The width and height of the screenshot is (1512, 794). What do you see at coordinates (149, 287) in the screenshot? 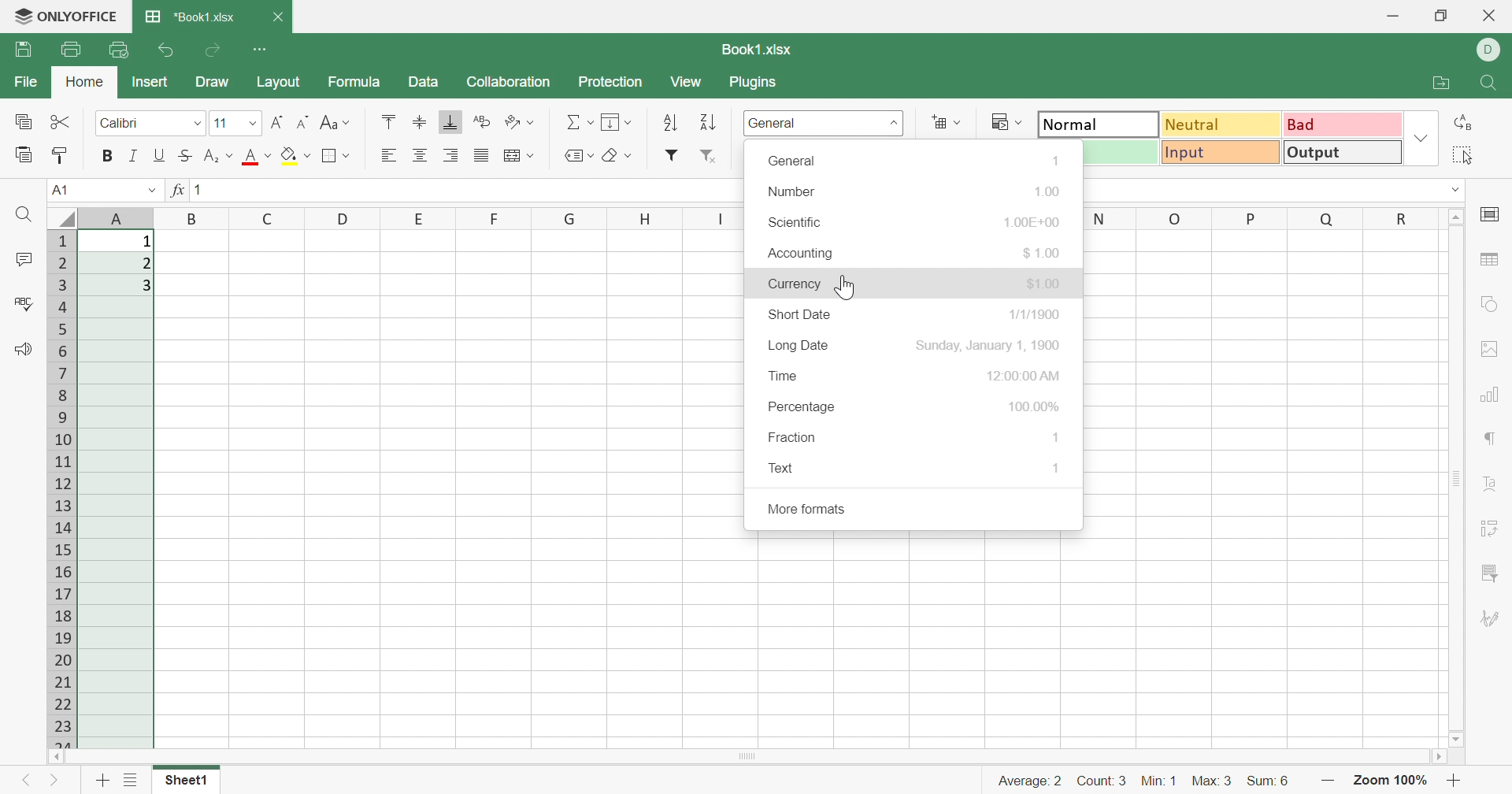
I see `3` at bounding box center [149, 287].